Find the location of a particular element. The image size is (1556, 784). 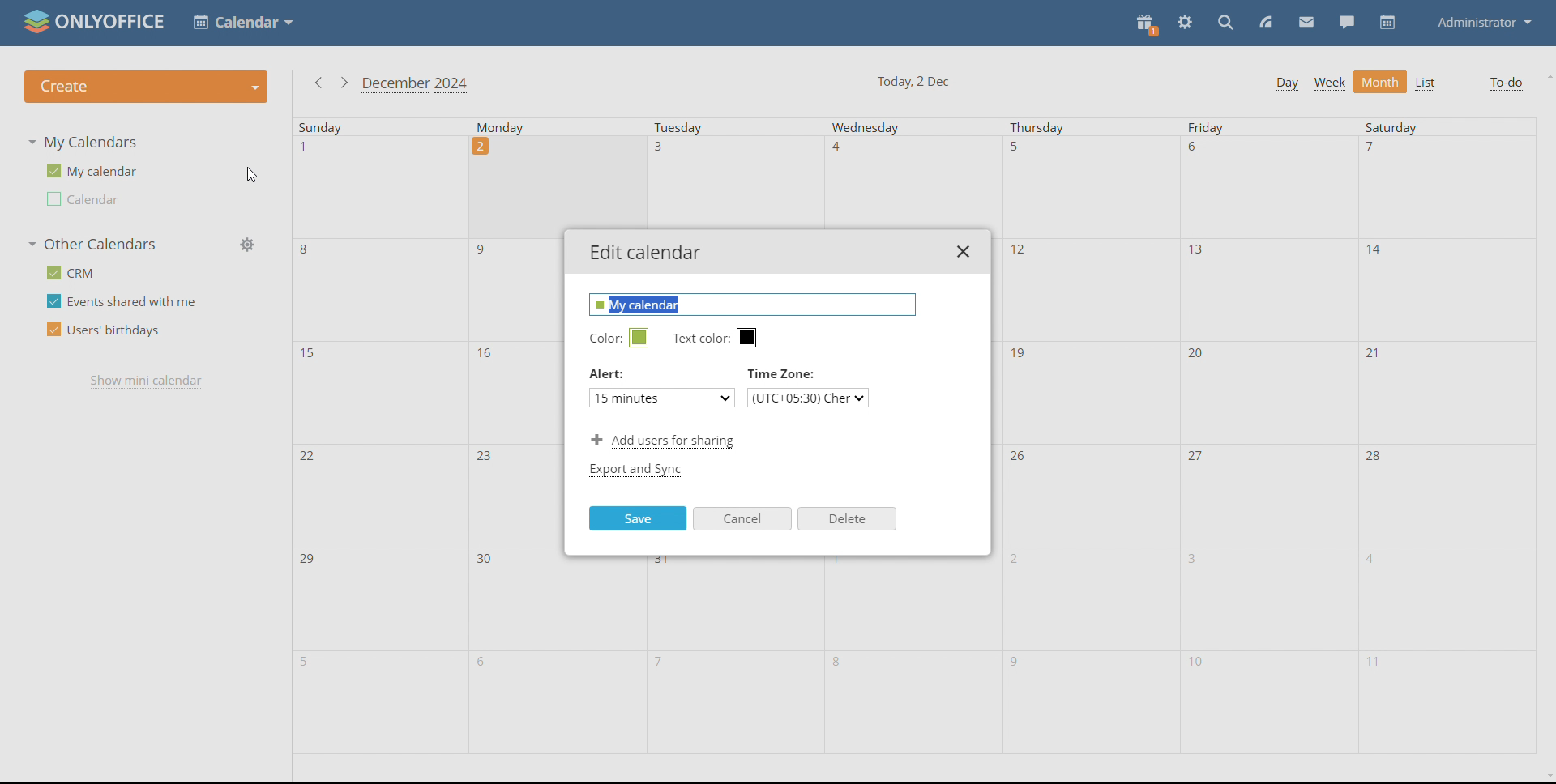

previous month is located at coordinates (318, 83).